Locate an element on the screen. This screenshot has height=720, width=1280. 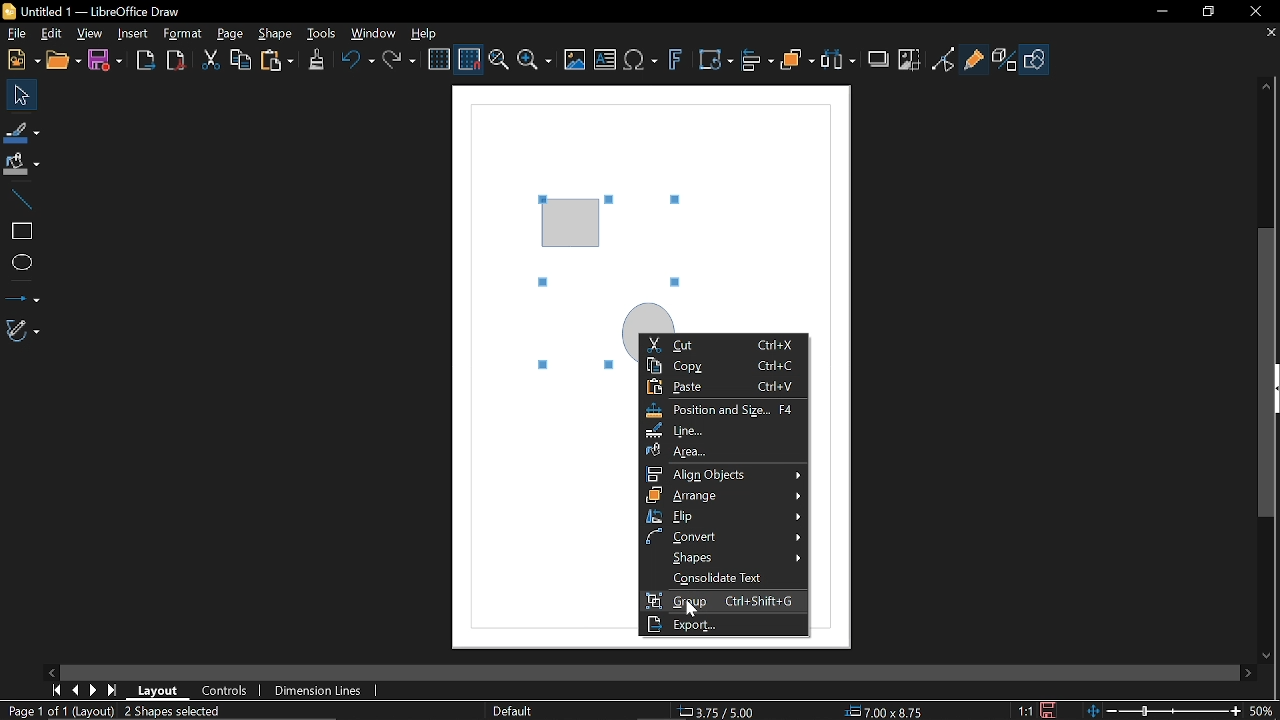
Arrange is located at coordinates (799, 61).